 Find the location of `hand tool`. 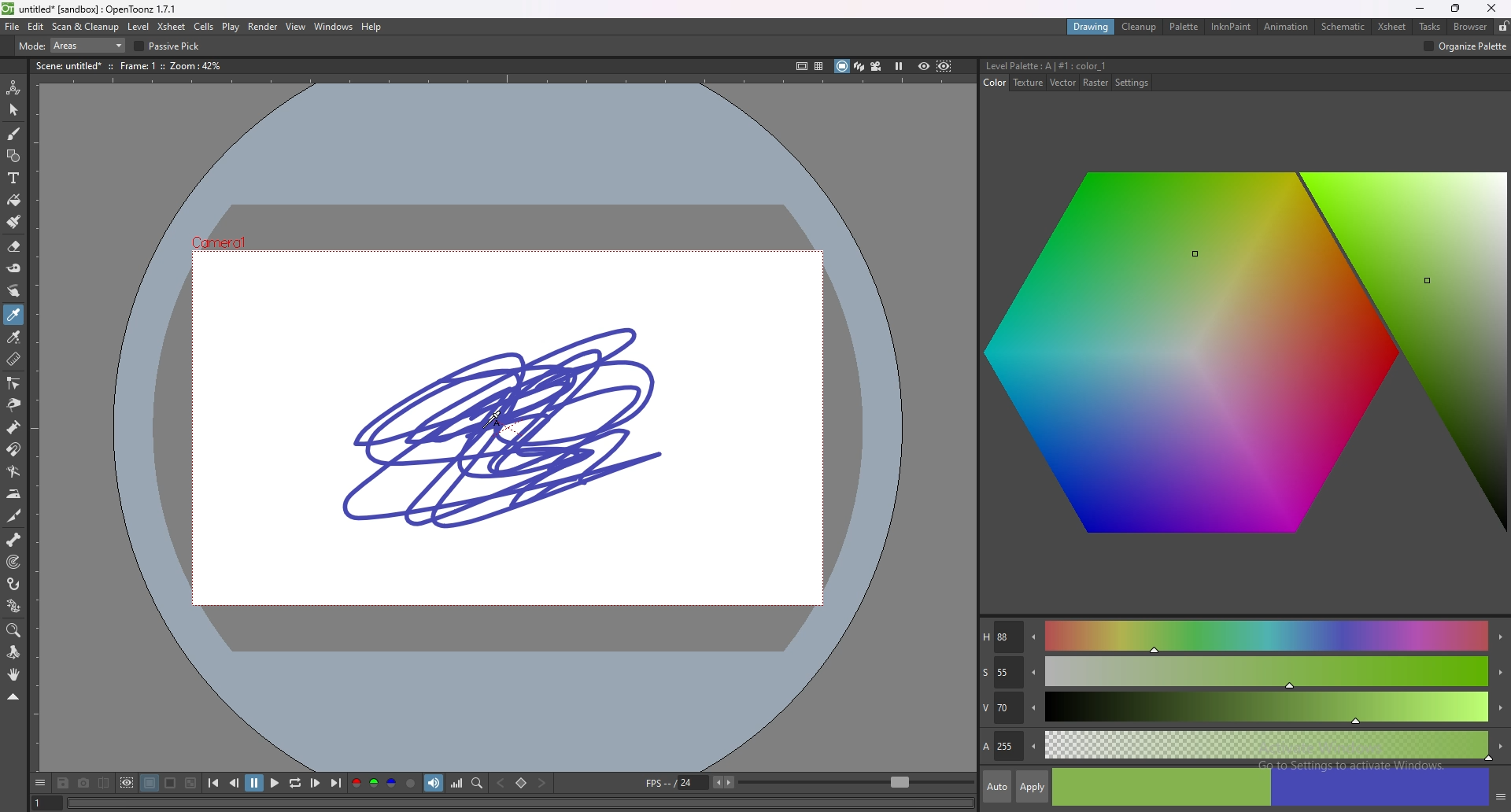

hand tool is located at coordinates (13, 674).